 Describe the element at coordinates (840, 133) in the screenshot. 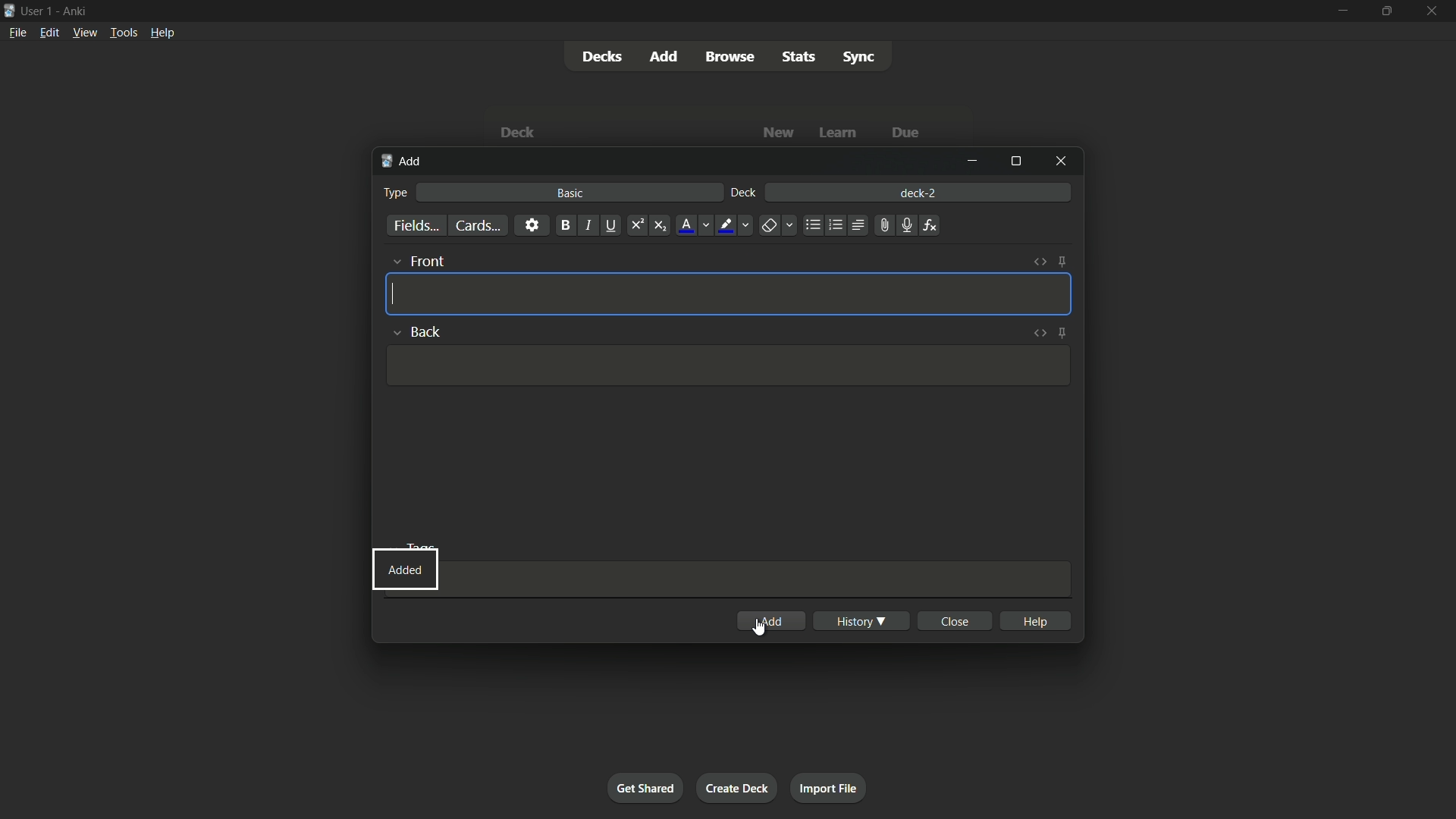

I see `learn` at that location.